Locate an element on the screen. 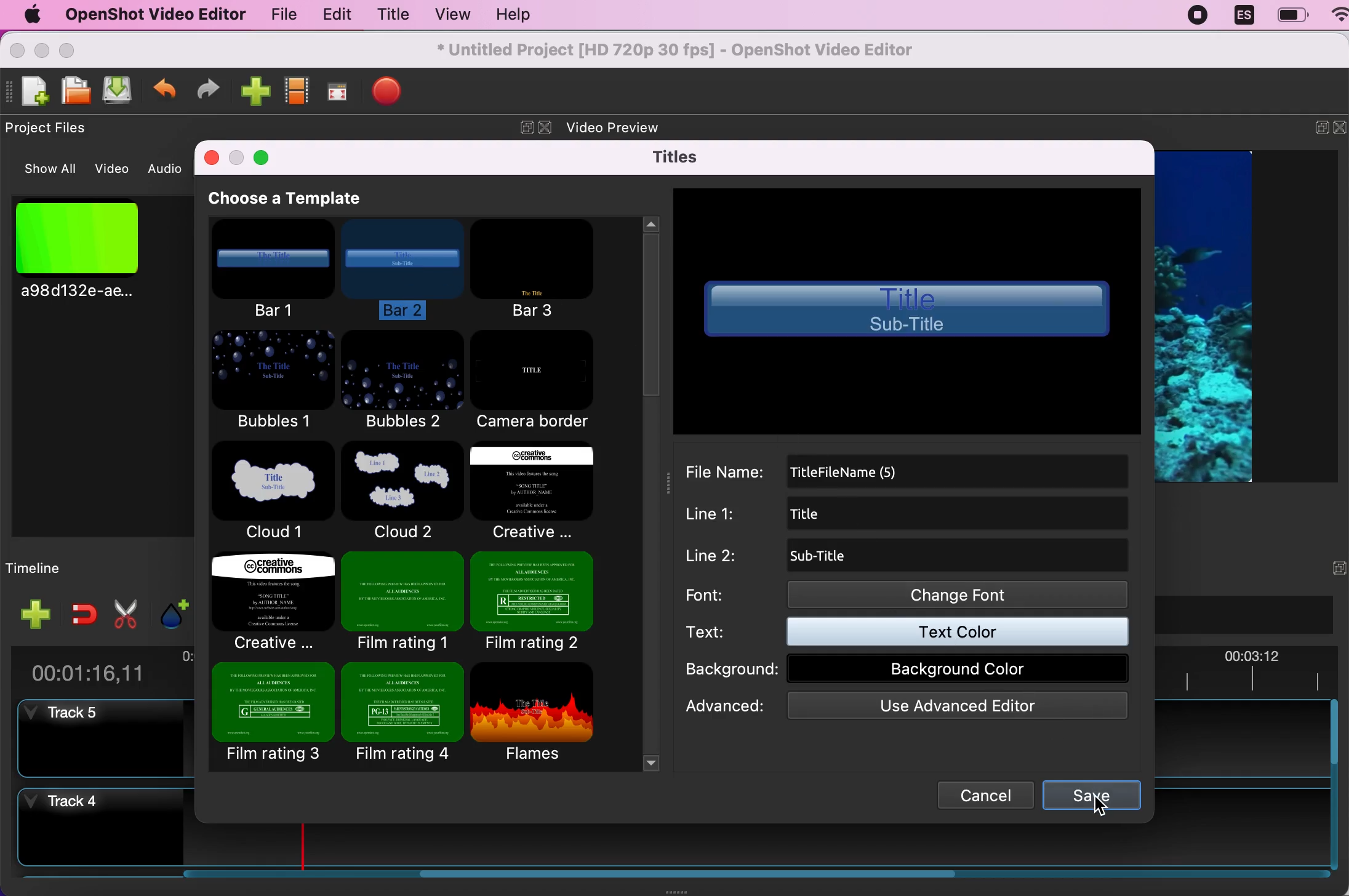  help is located at coordinates (524, 15).